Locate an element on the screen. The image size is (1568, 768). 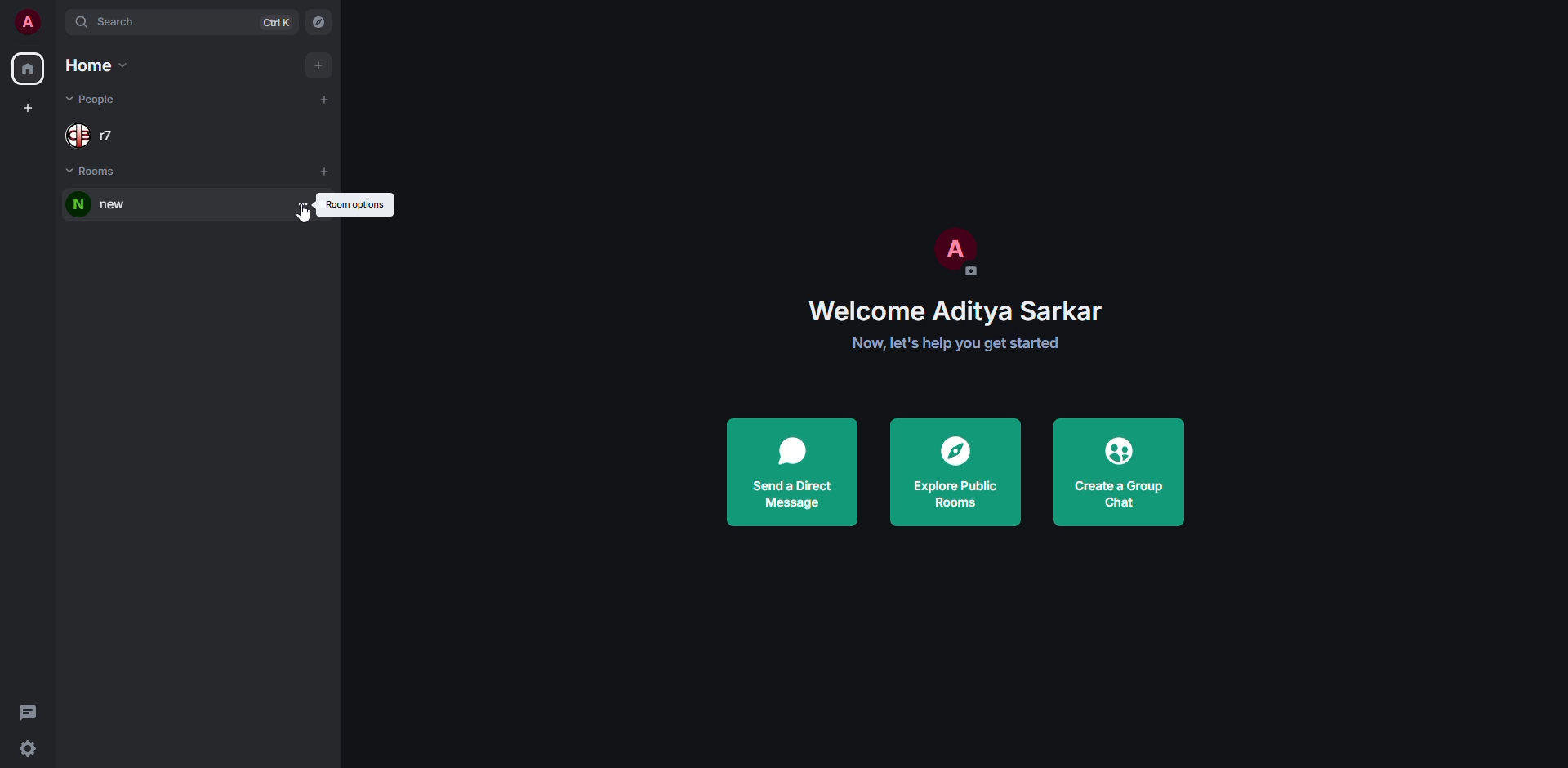
navigator is located at coordinates (319, 23).